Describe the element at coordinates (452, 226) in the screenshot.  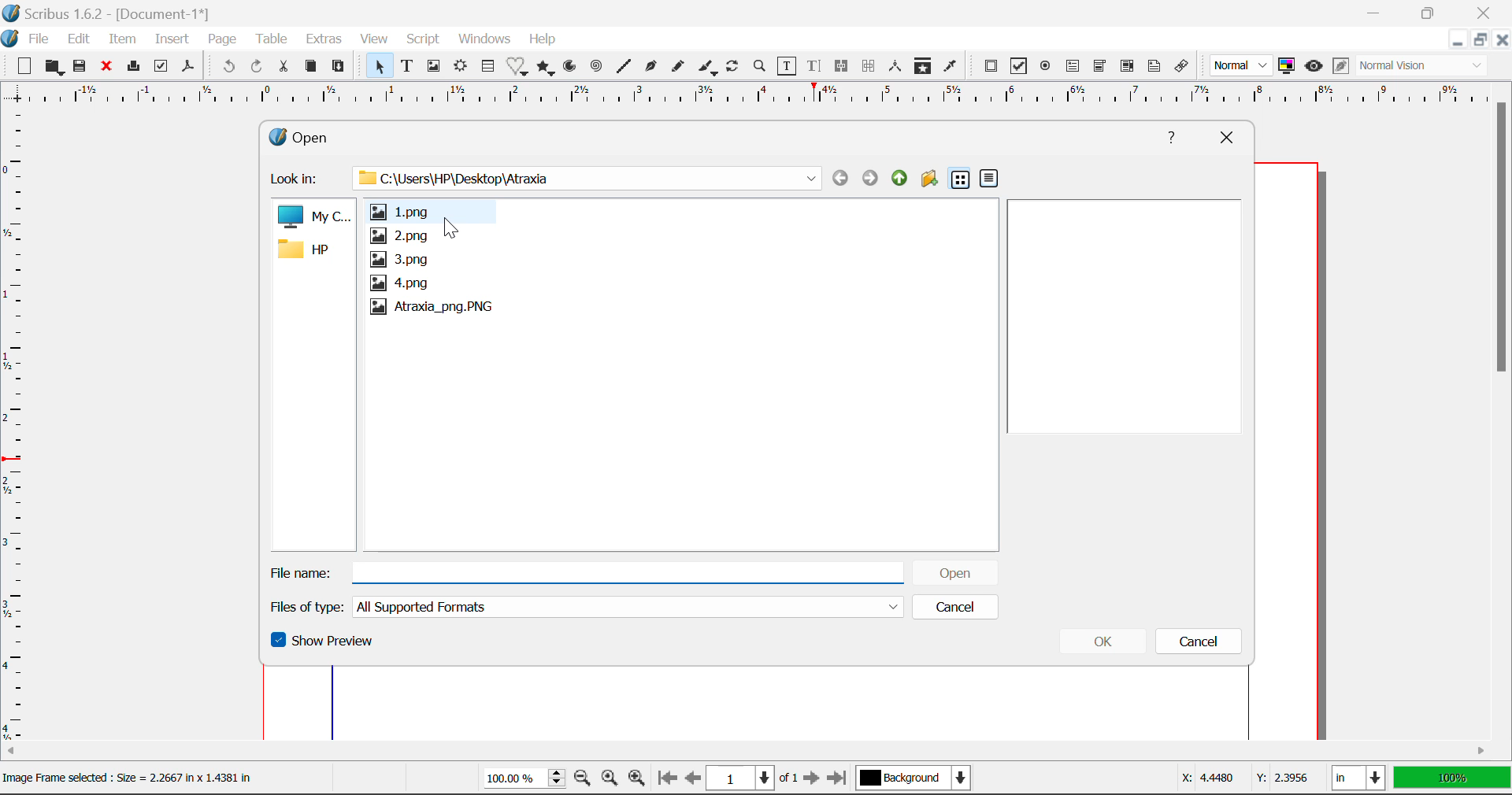
I see `Cursor ` at that location.